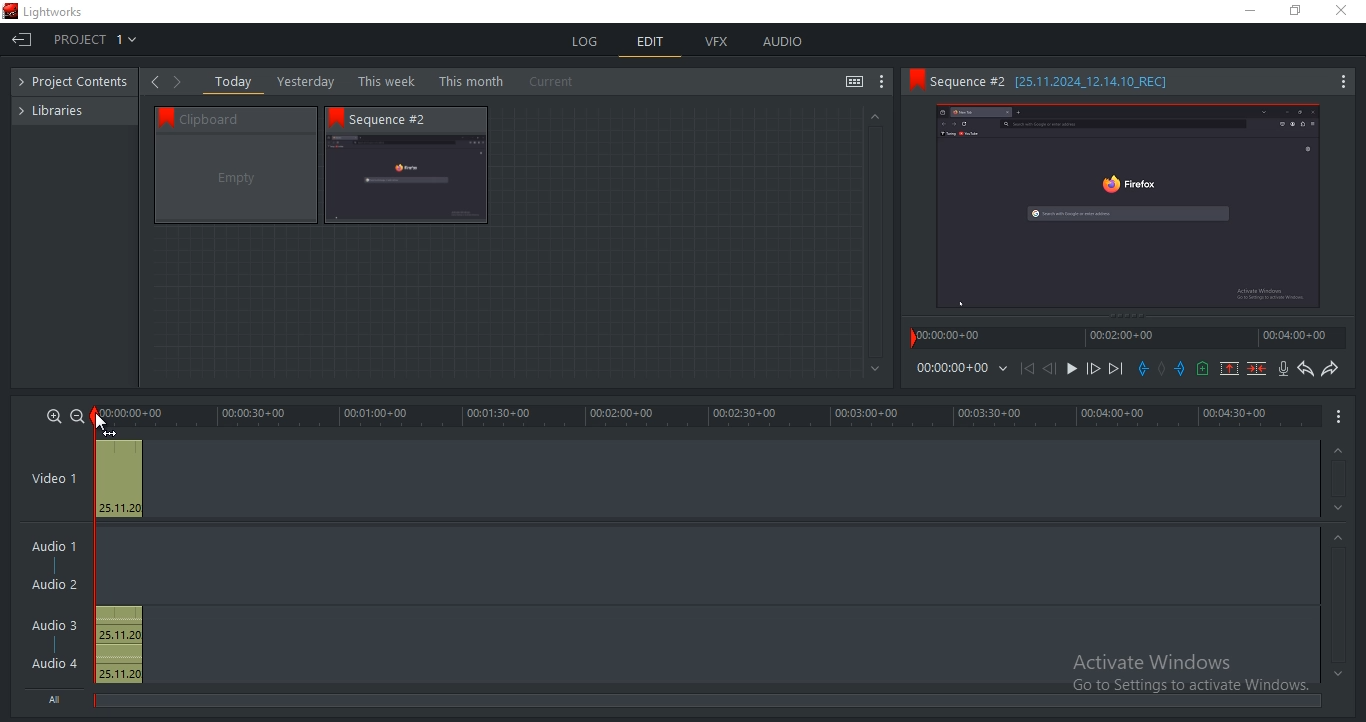  Describe the element at coordinates (1128, 208) in the screenshot. I see `sequence 2` at that location.